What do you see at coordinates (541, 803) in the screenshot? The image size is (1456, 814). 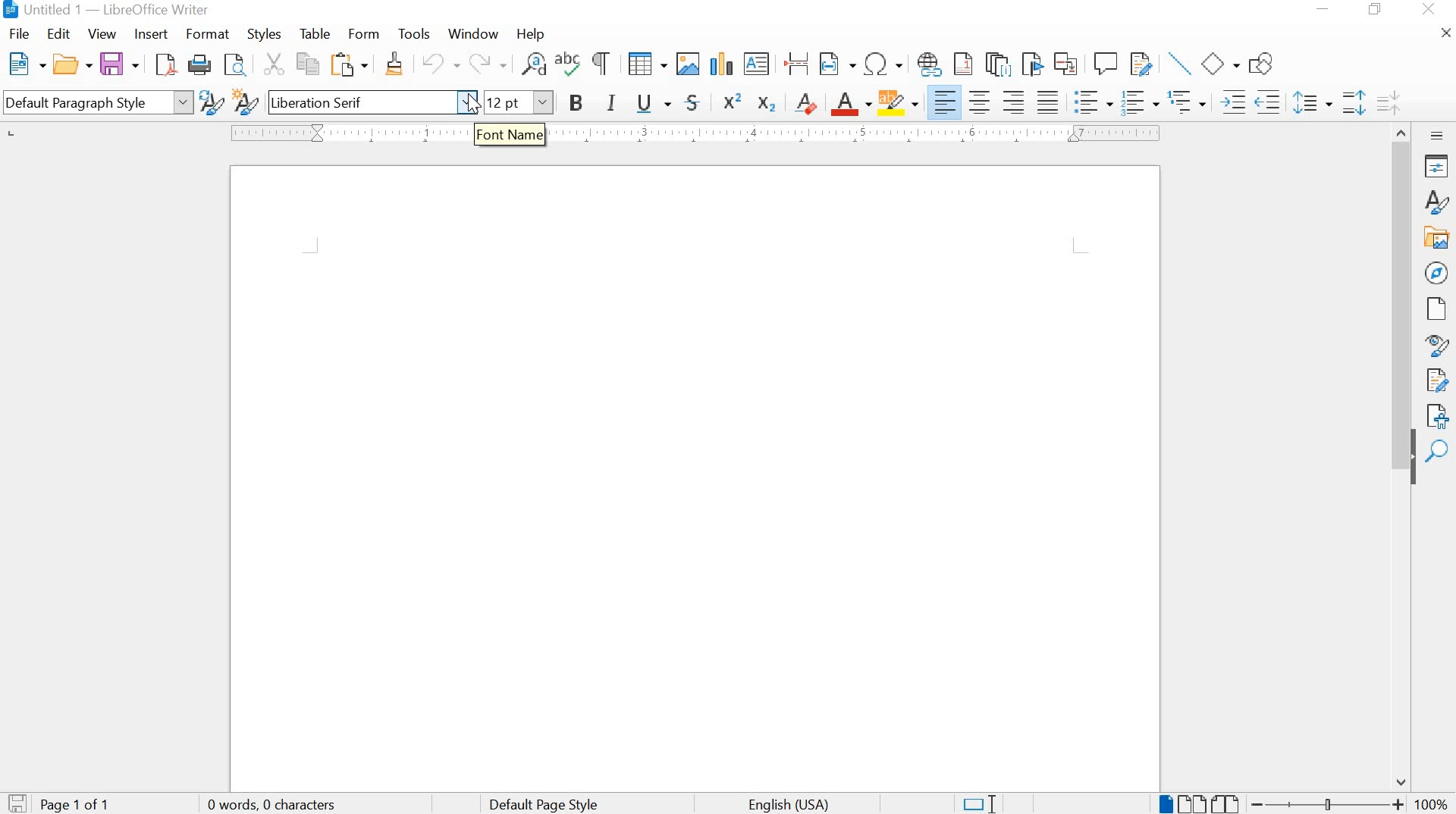 I see `DEFAULT PAGE STYLE` at bounding box center [541, 803].